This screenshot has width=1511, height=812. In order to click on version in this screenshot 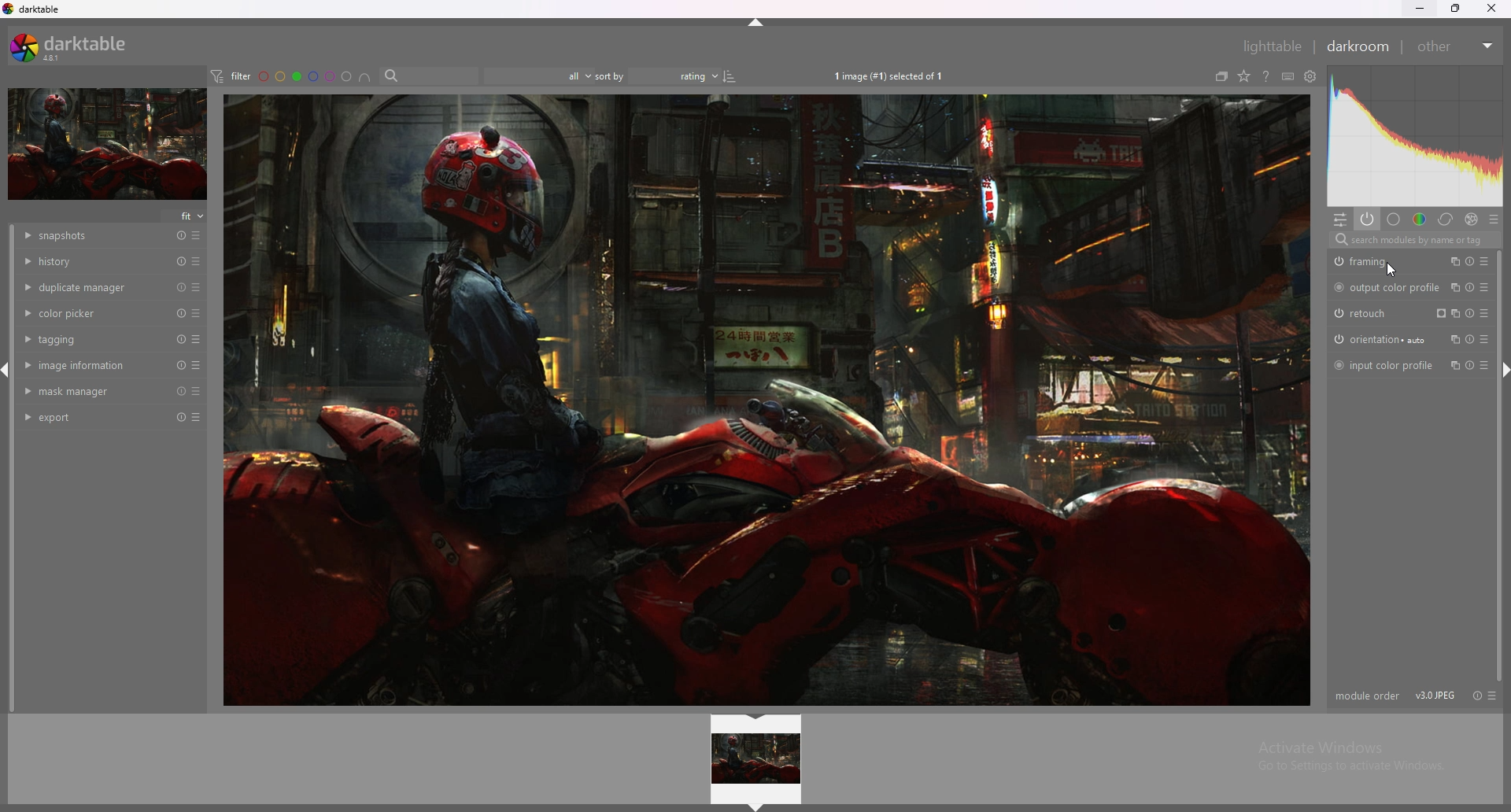, I will do `click(1436, 695)`.